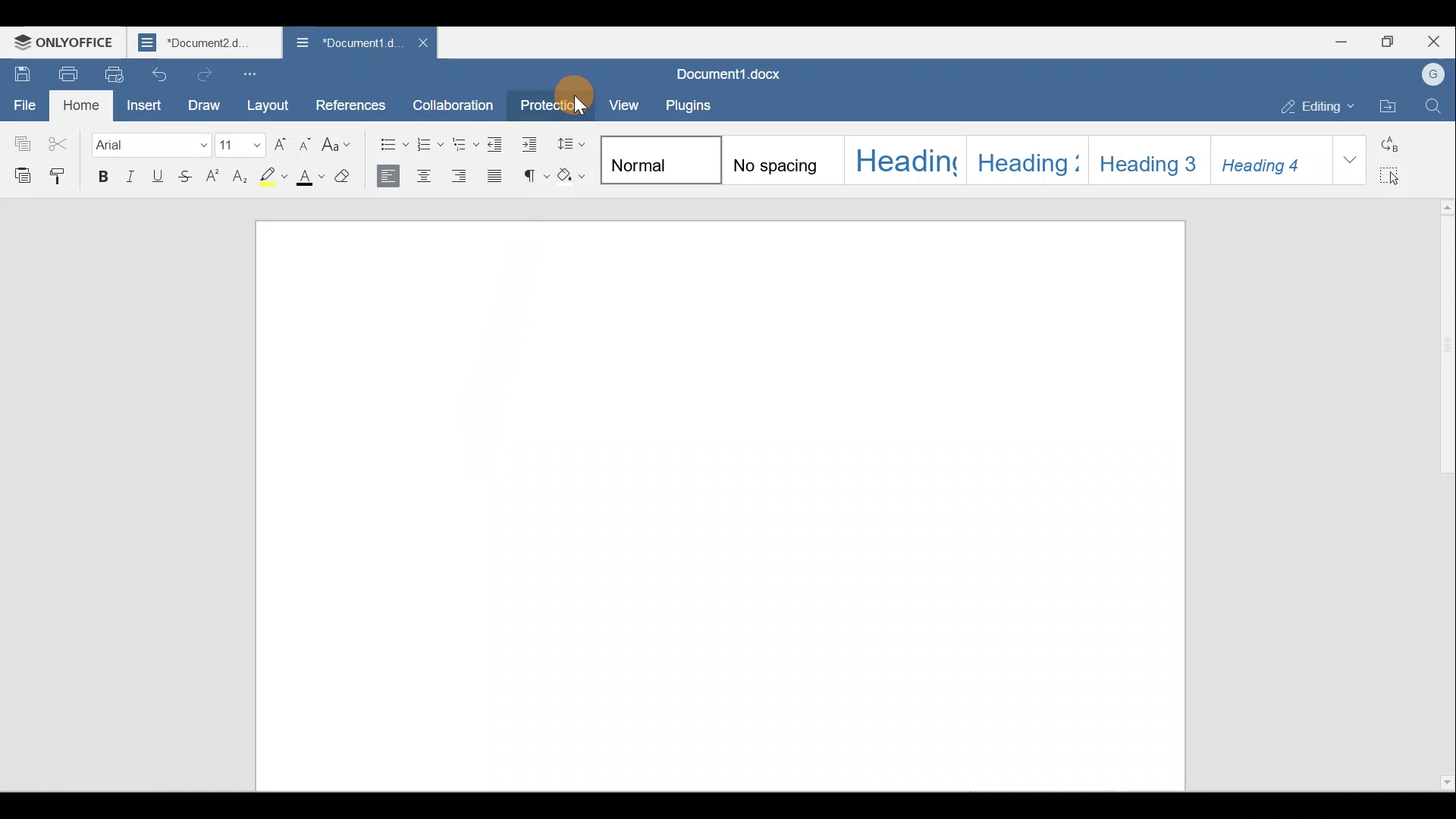 The width and height of the screenshot is (1456, 819). Describe the element at coordinates (304, 143) in the screenshot. I see `Decrease font size` at that location.